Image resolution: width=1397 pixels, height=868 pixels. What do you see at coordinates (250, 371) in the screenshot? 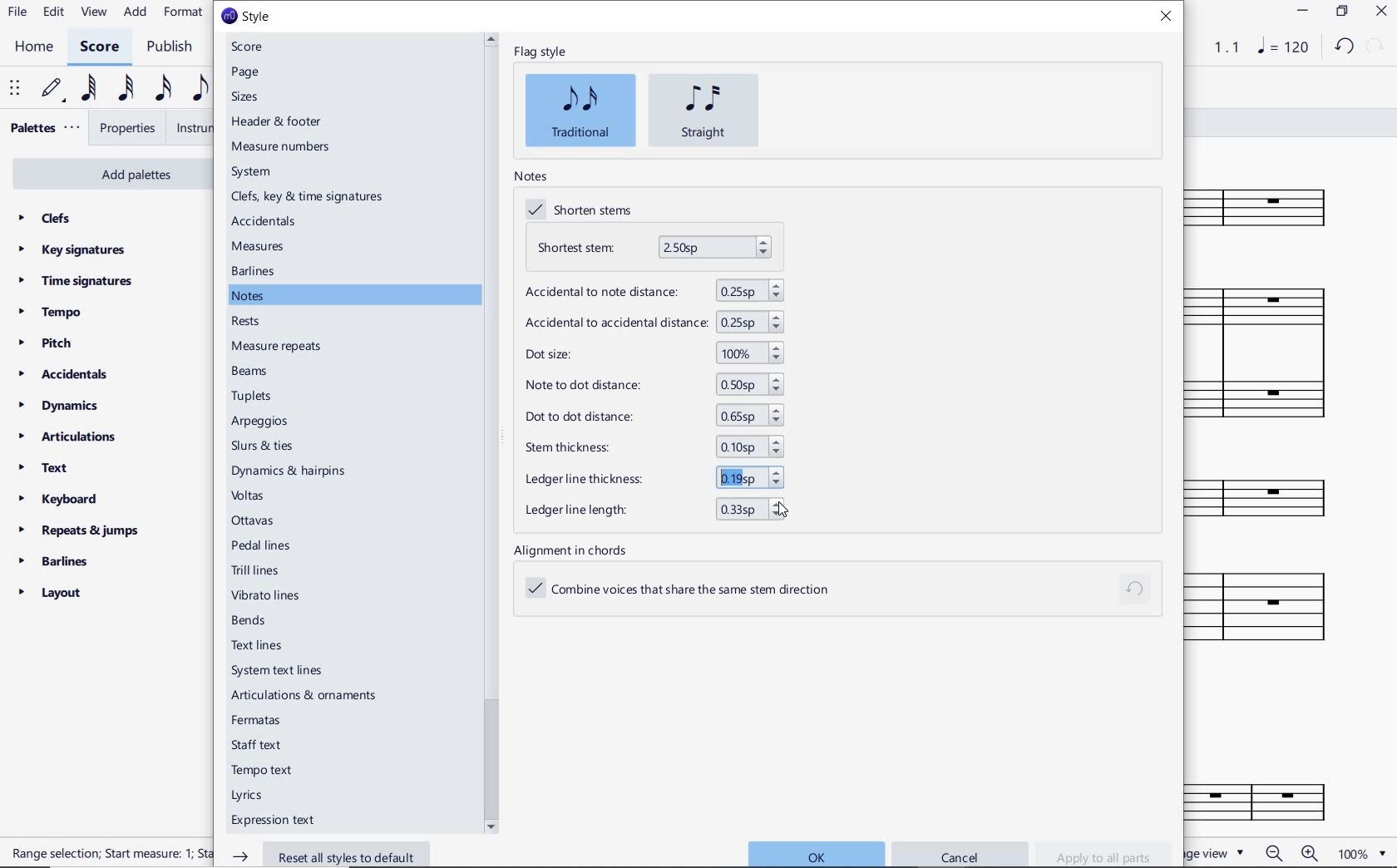
I see `beams` at bounding box center [250, 371].